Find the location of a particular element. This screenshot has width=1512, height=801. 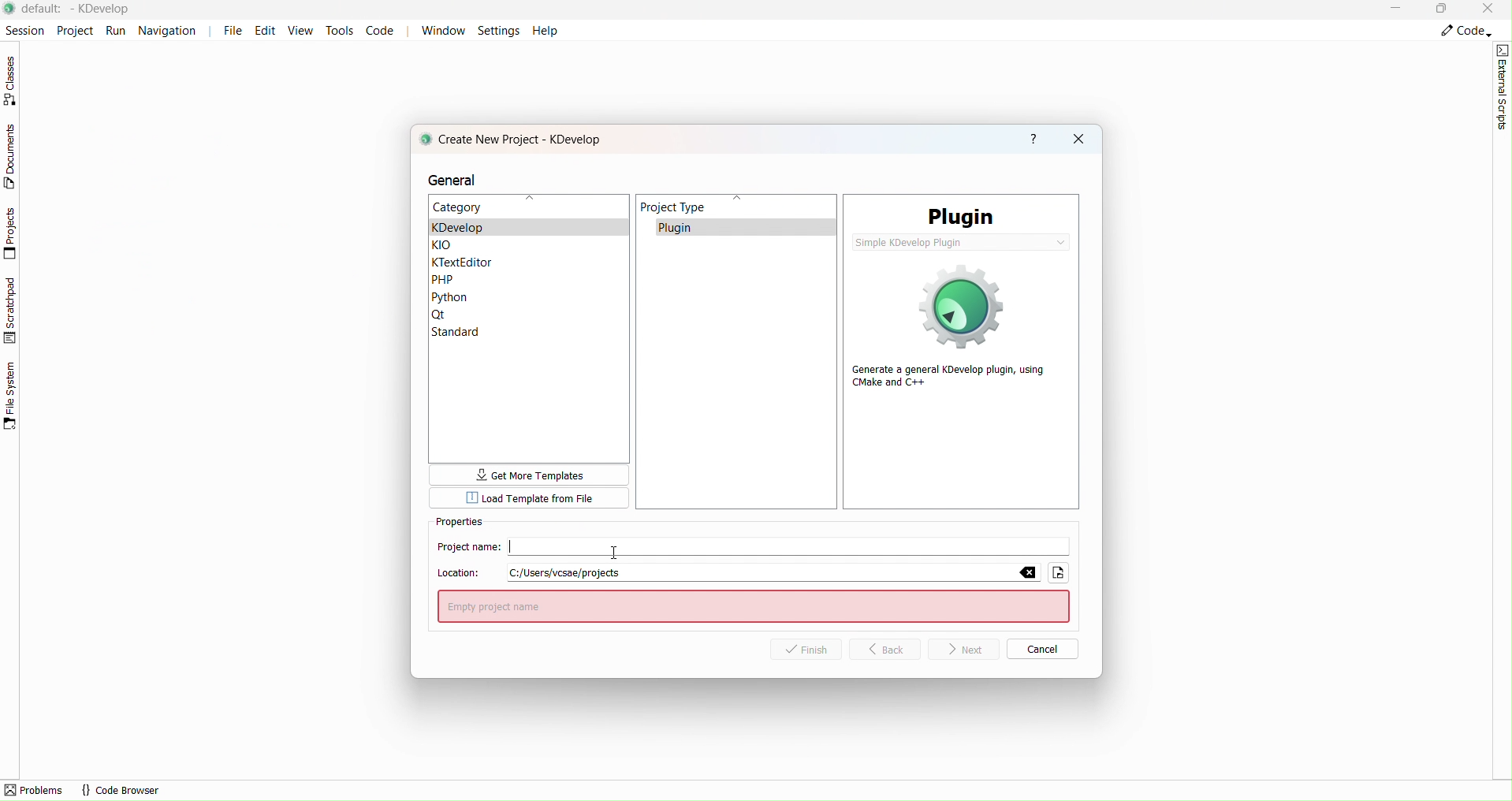

Window is located at coordinates (442, 30).